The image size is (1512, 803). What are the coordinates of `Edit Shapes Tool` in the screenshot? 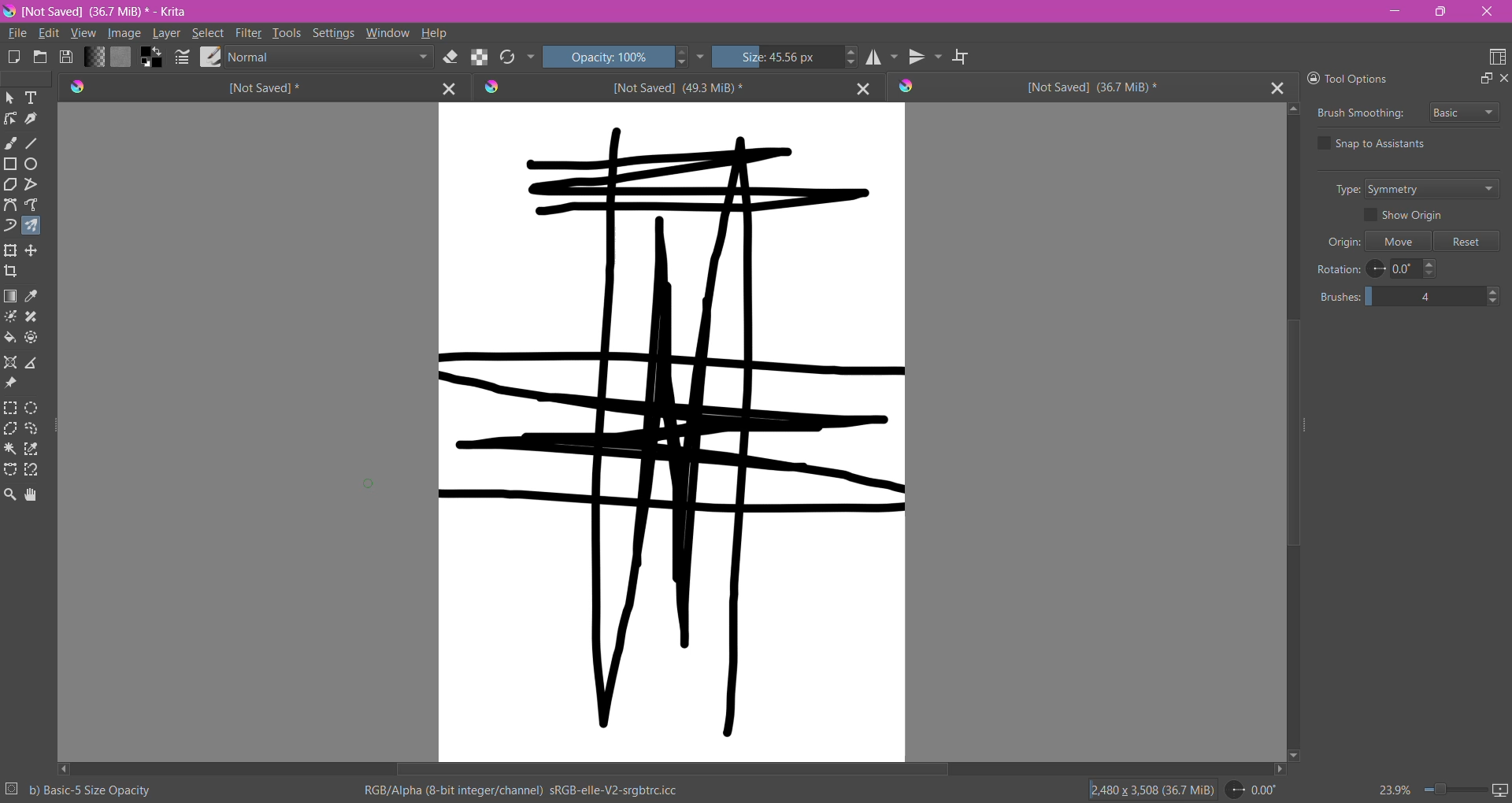 It's located at (11, 119).